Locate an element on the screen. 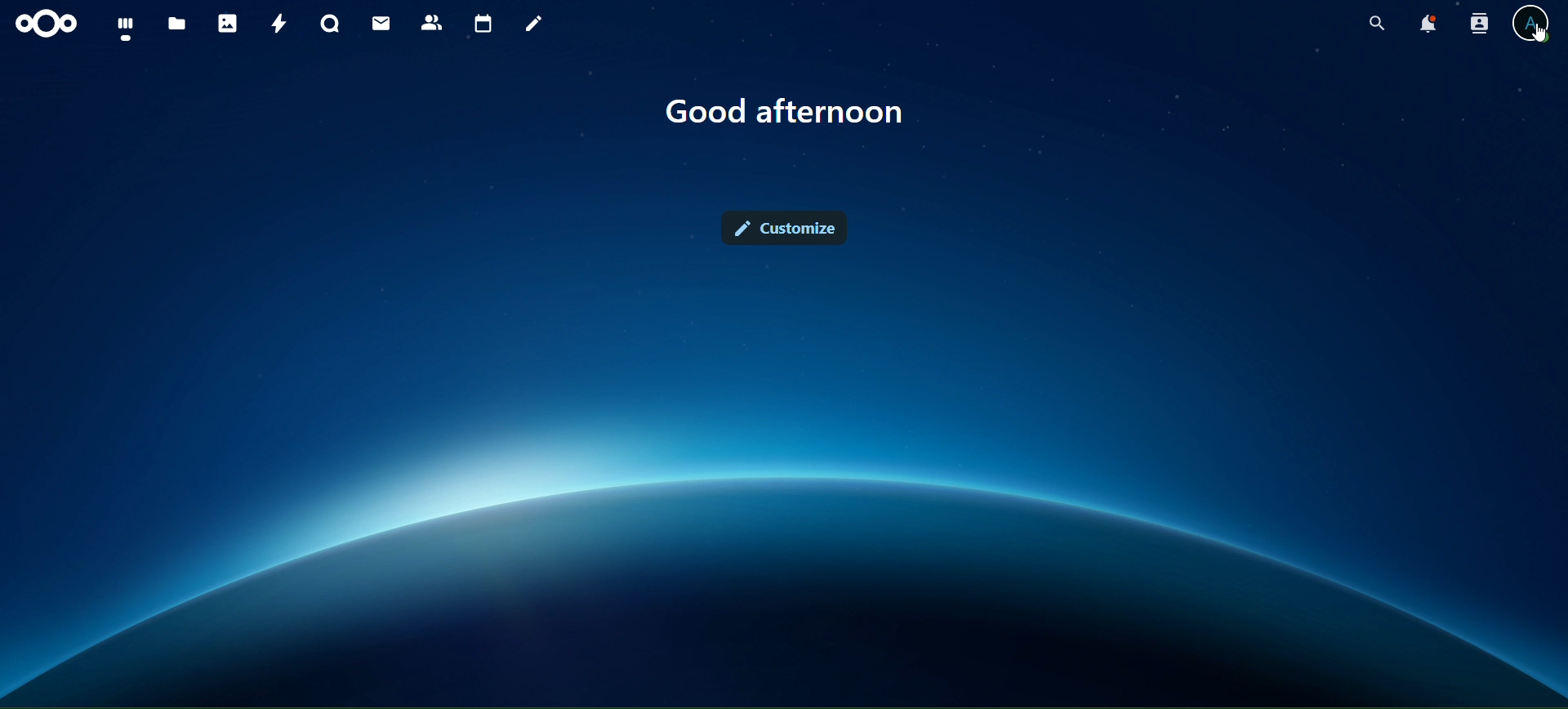 This screenshot has width=1568, height=709. customize is located at coordinates (787, 227).